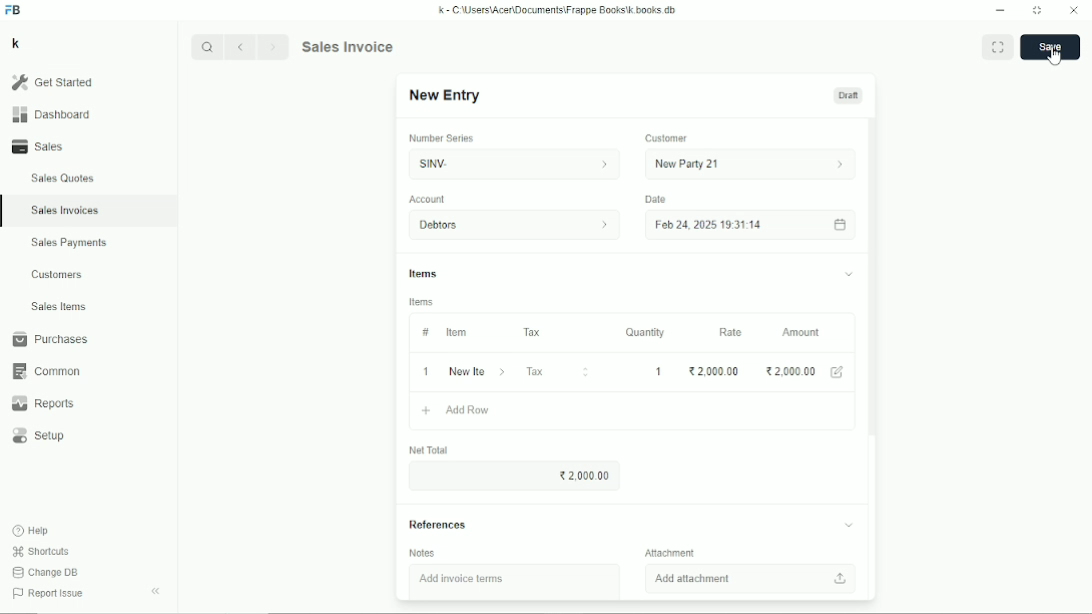 The width and height of the screenshot is (1092, 614). I want to click on New entry, so click(445, 96).